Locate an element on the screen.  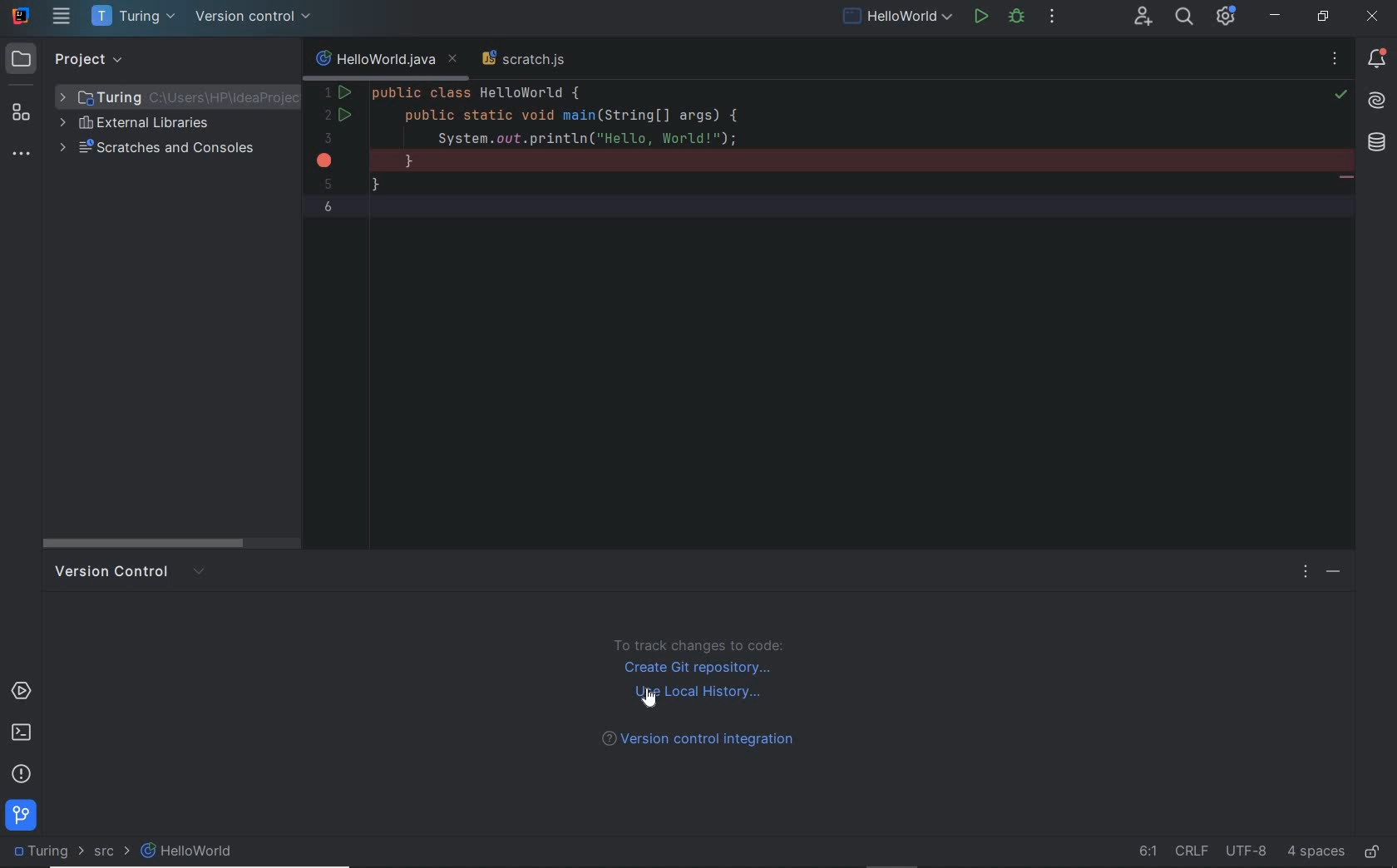
debug is located at coordinates (1016, 18).